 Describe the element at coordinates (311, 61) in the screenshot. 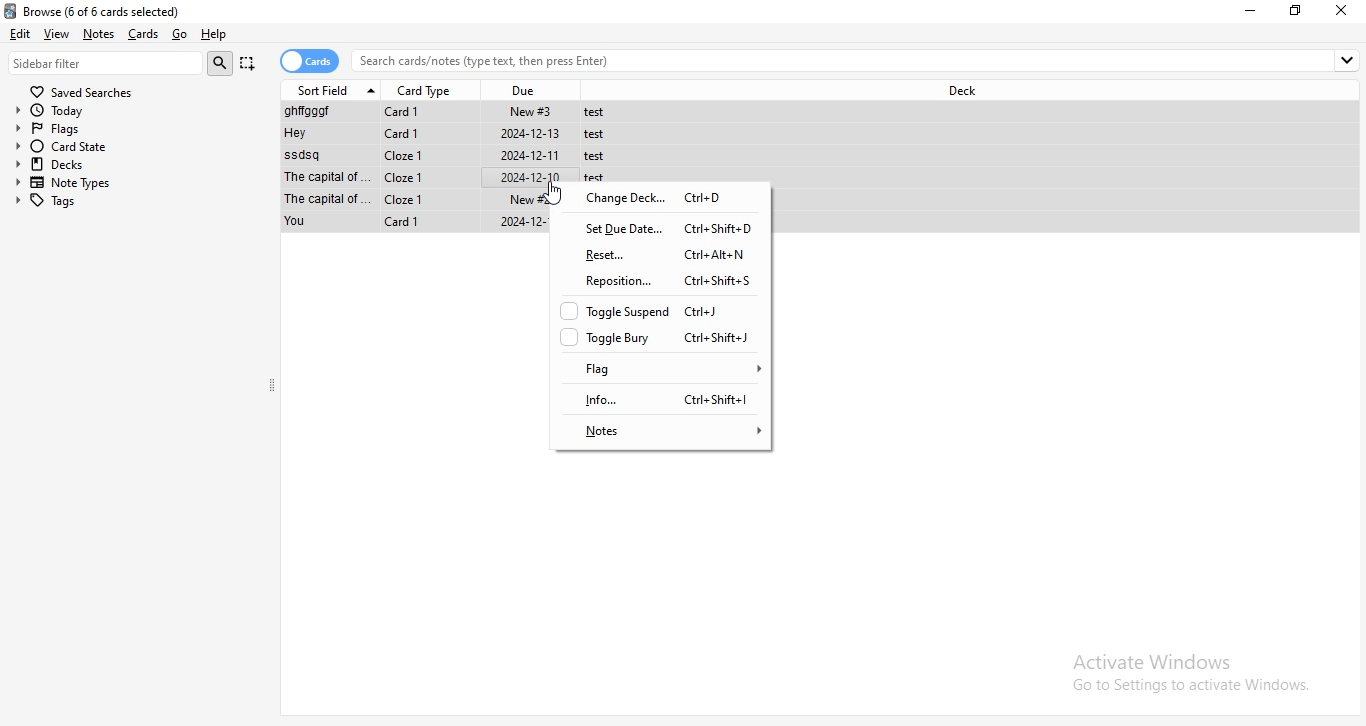

I see `cards` at that location.